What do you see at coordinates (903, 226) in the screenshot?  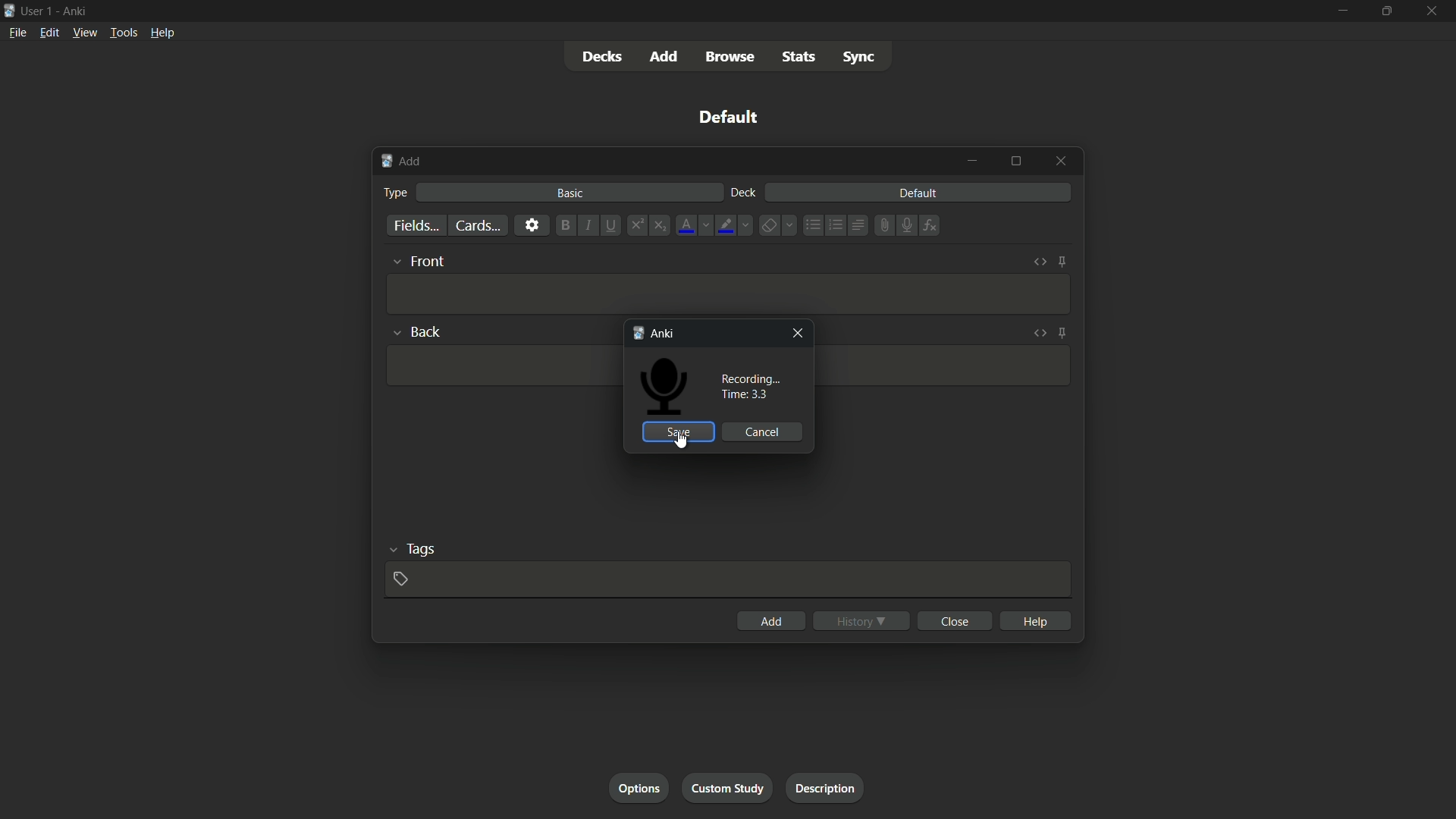 I see `record audio` at bounding box center [903, 226].